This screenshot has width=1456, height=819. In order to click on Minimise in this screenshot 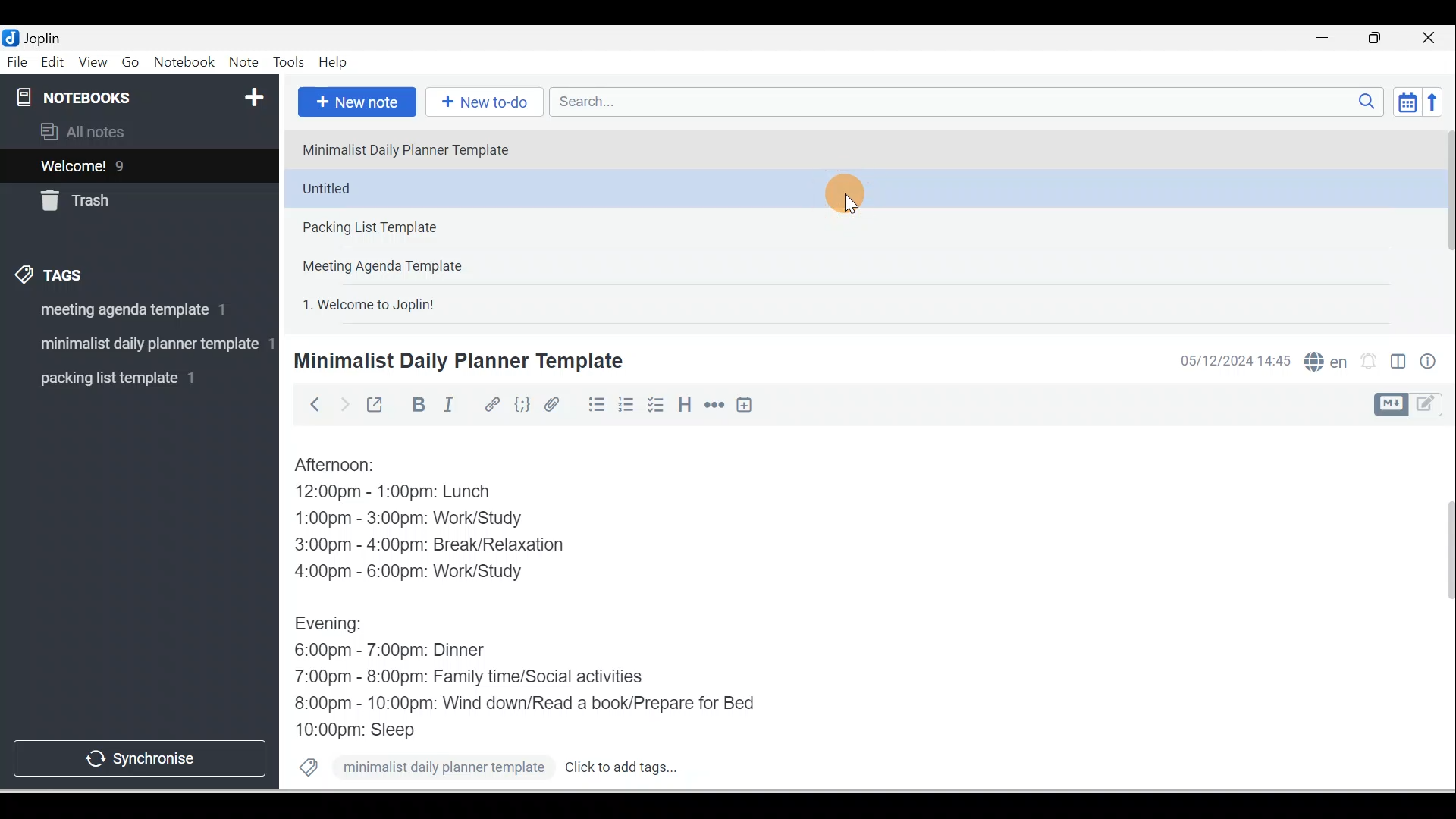, I will do `click(1327, 39)`.